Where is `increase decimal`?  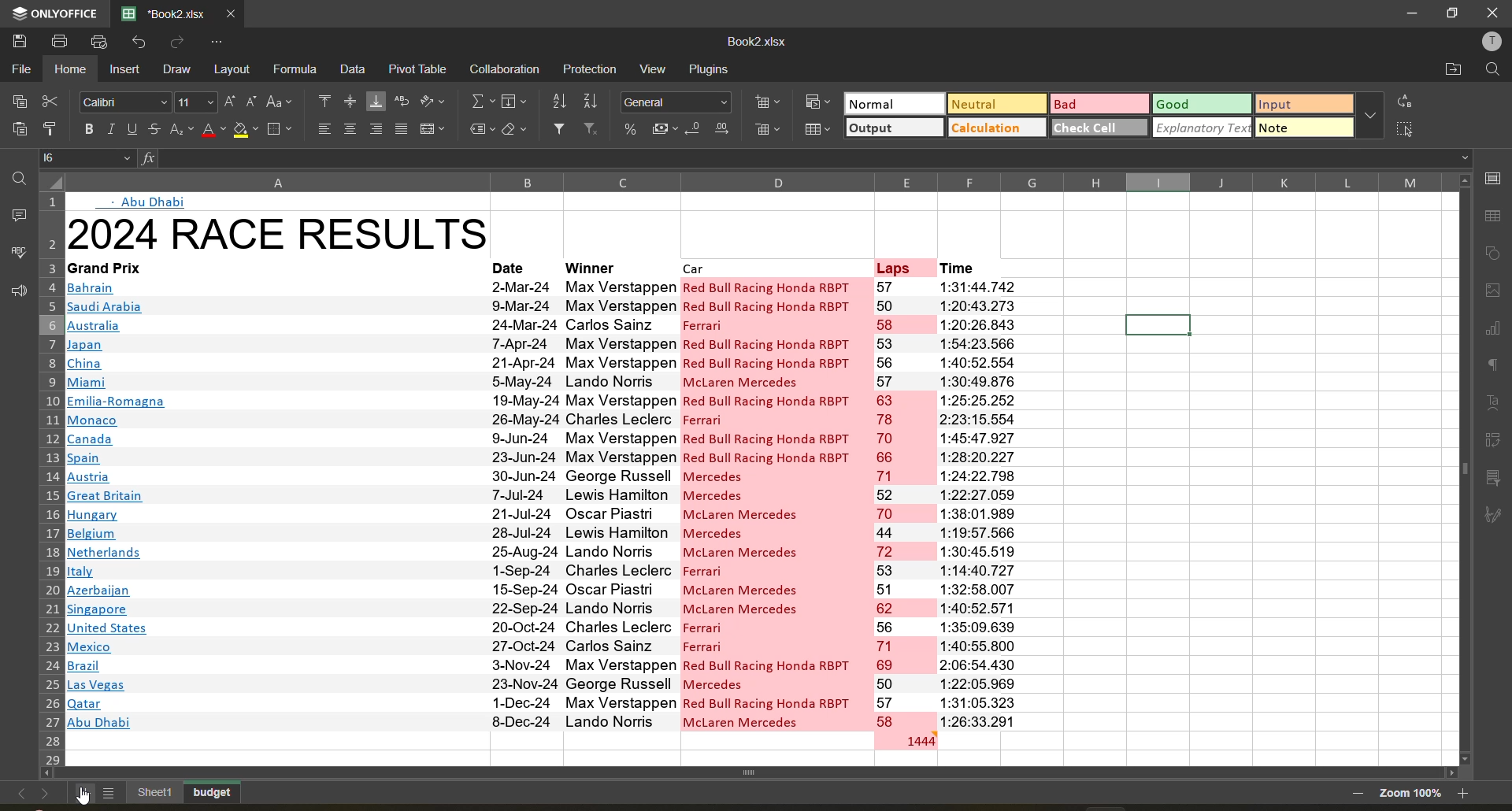 increase decimal is located at coordinates (721, 128).